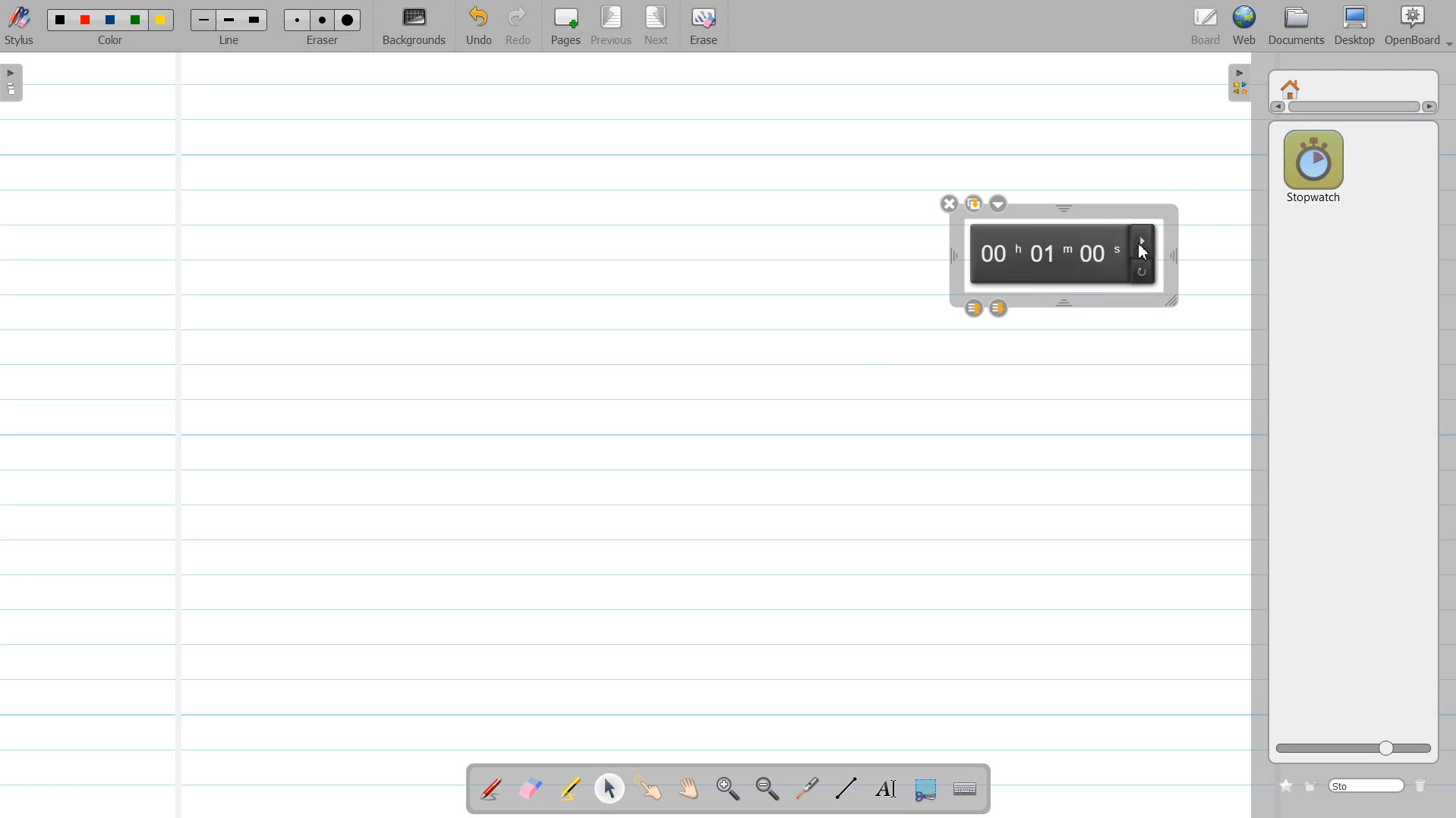 This screenshot has height=818, width=1456. What do you see at coordinates (1297, 26) in the screenshot?
I see `Document` at bounding box center [1297, 26].